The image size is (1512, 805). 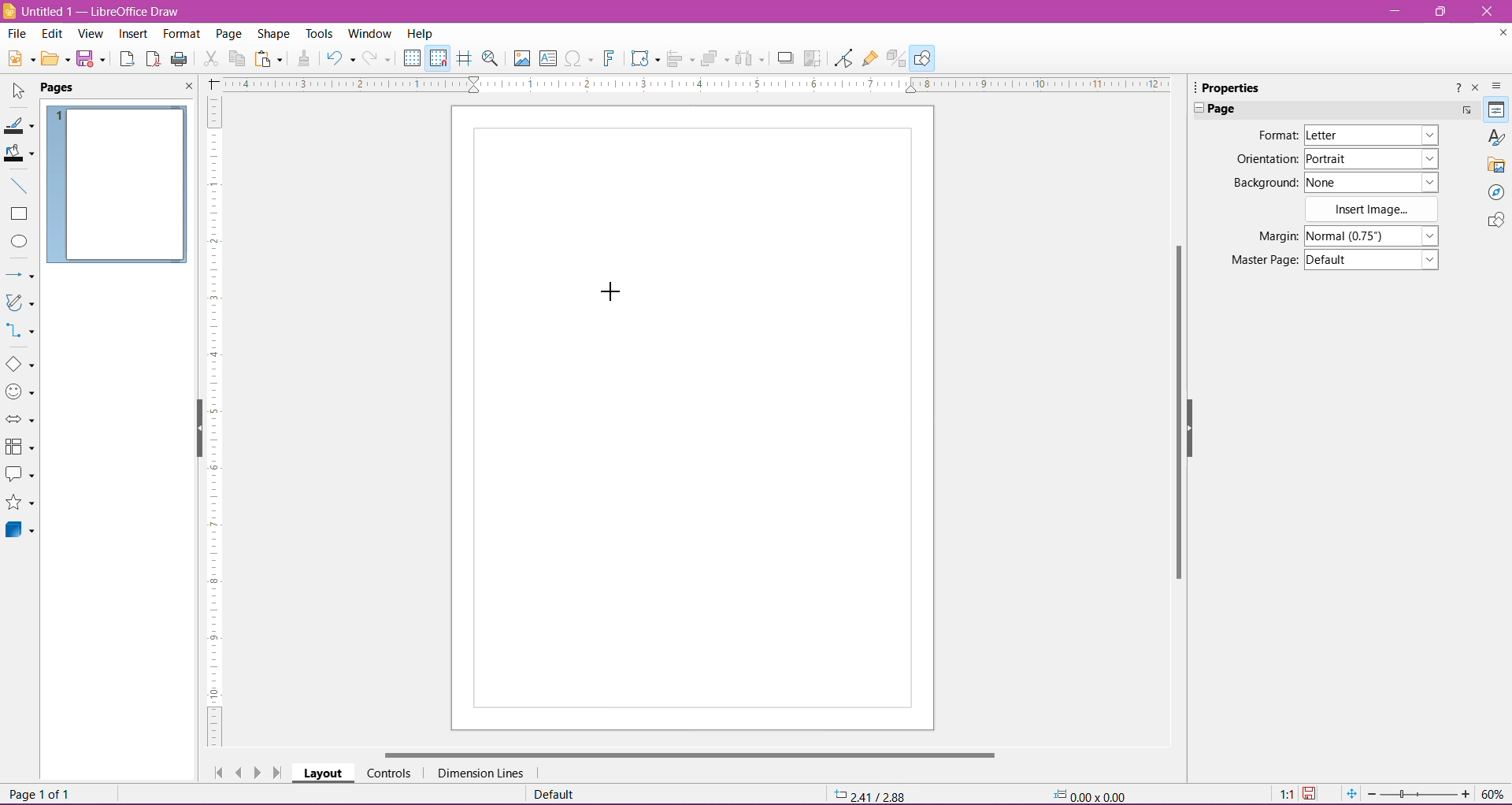 What do you see at coordinates (43, 793) in the screenshot?
I see `Page Number` at bounding box center [43, 793].